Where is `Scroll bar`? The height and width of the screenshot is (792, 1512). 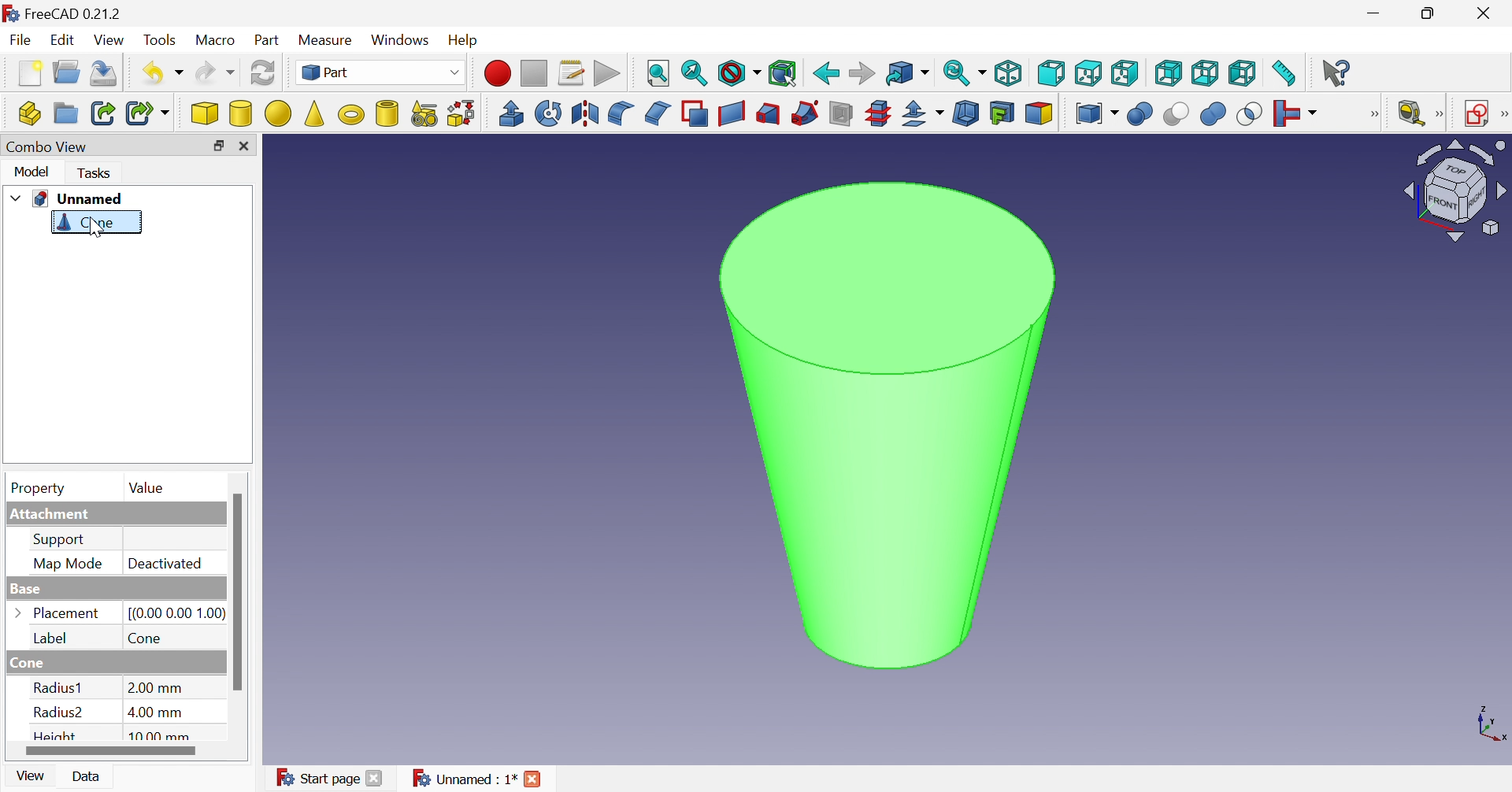 Scroll bar is located at coordinates (237, 590).